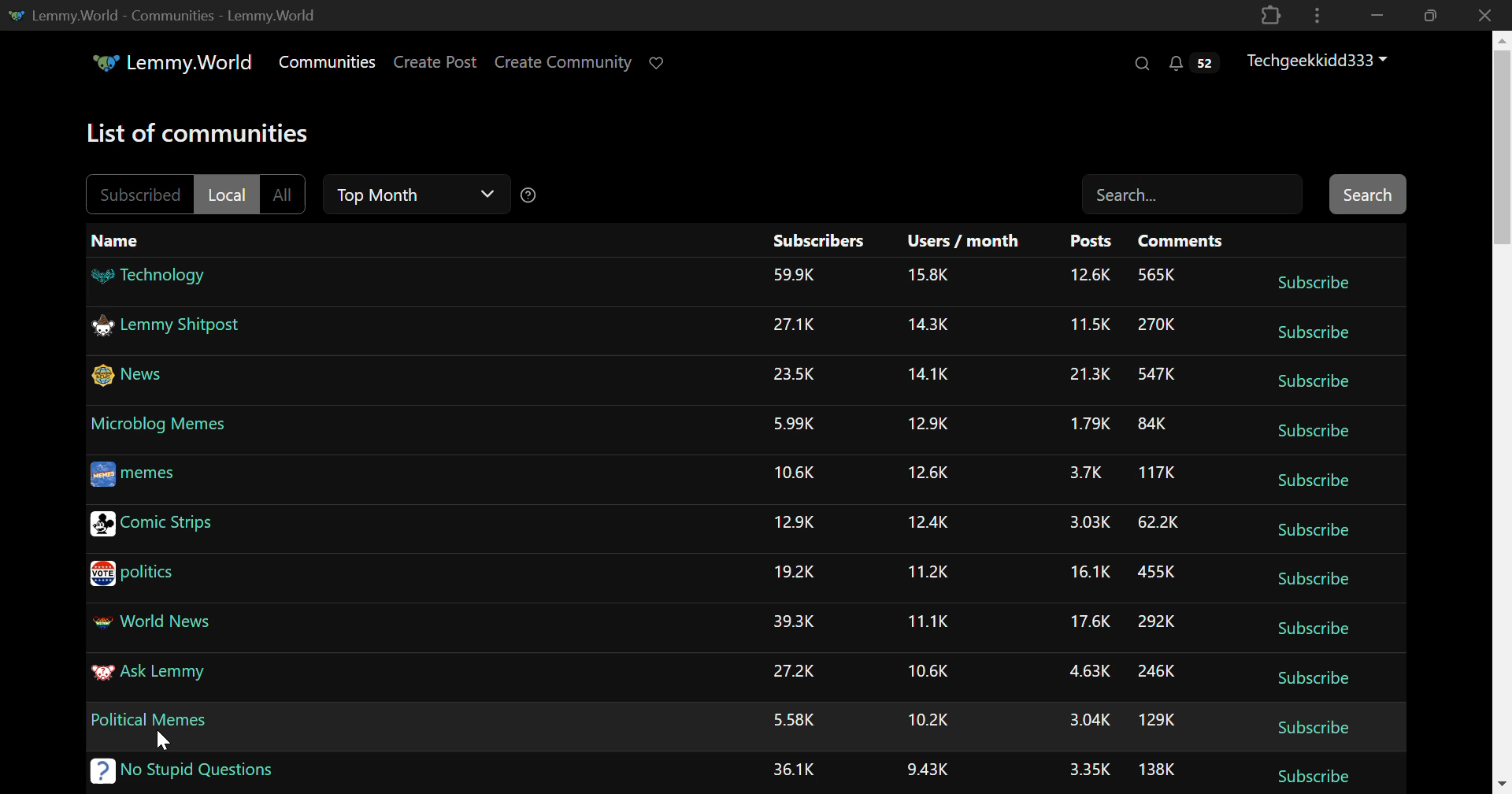  What do you see at coordinates (160, 429) in the screenshot?
I see `Microblog Memes` at bounding box center [160, 429].